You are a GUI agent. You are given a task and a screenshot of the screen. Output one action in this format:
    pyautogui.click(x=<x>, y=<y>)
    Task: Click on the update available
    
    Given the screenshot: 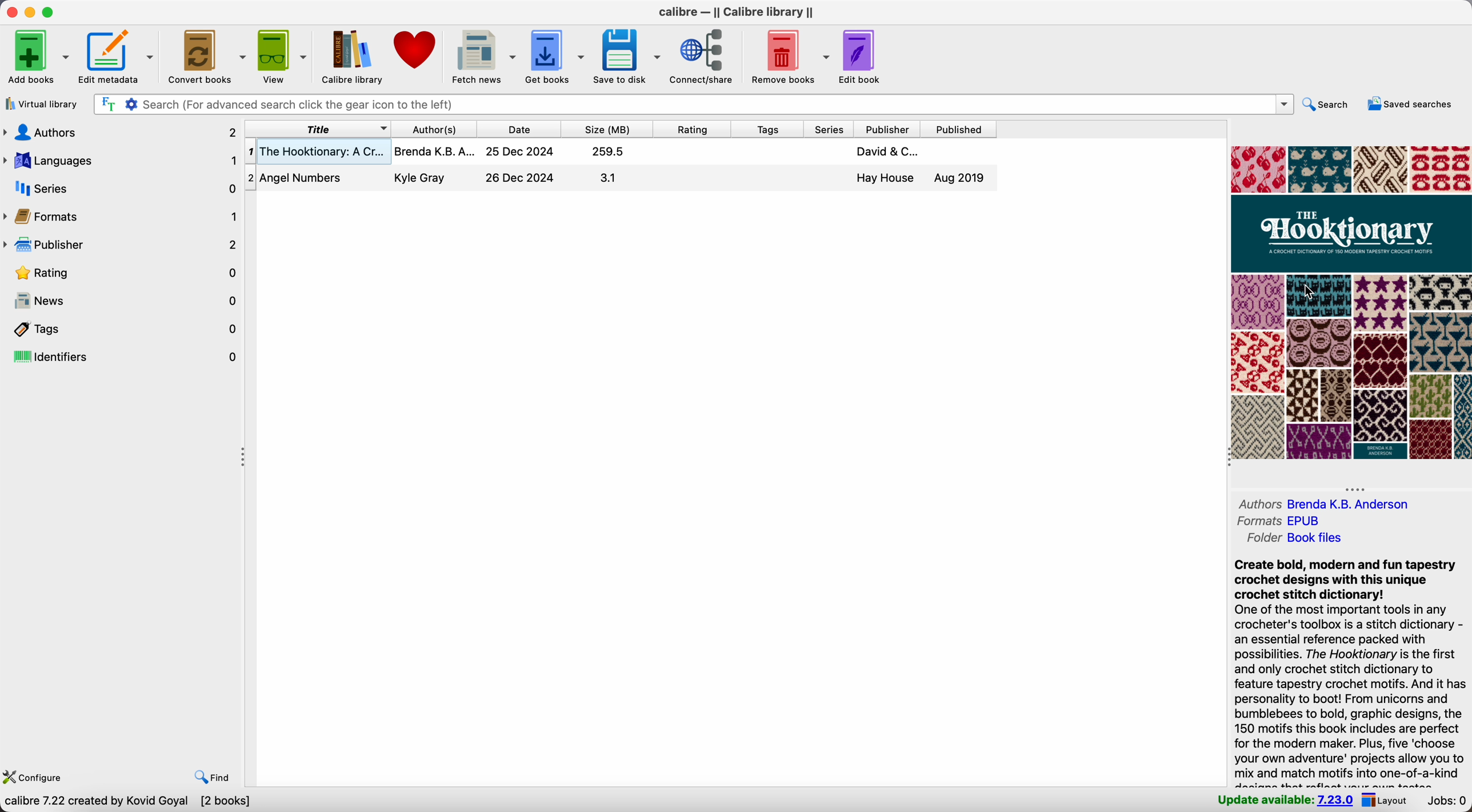 What is the action you would take?
    pyautogui.click(x=1285, y=798)
    